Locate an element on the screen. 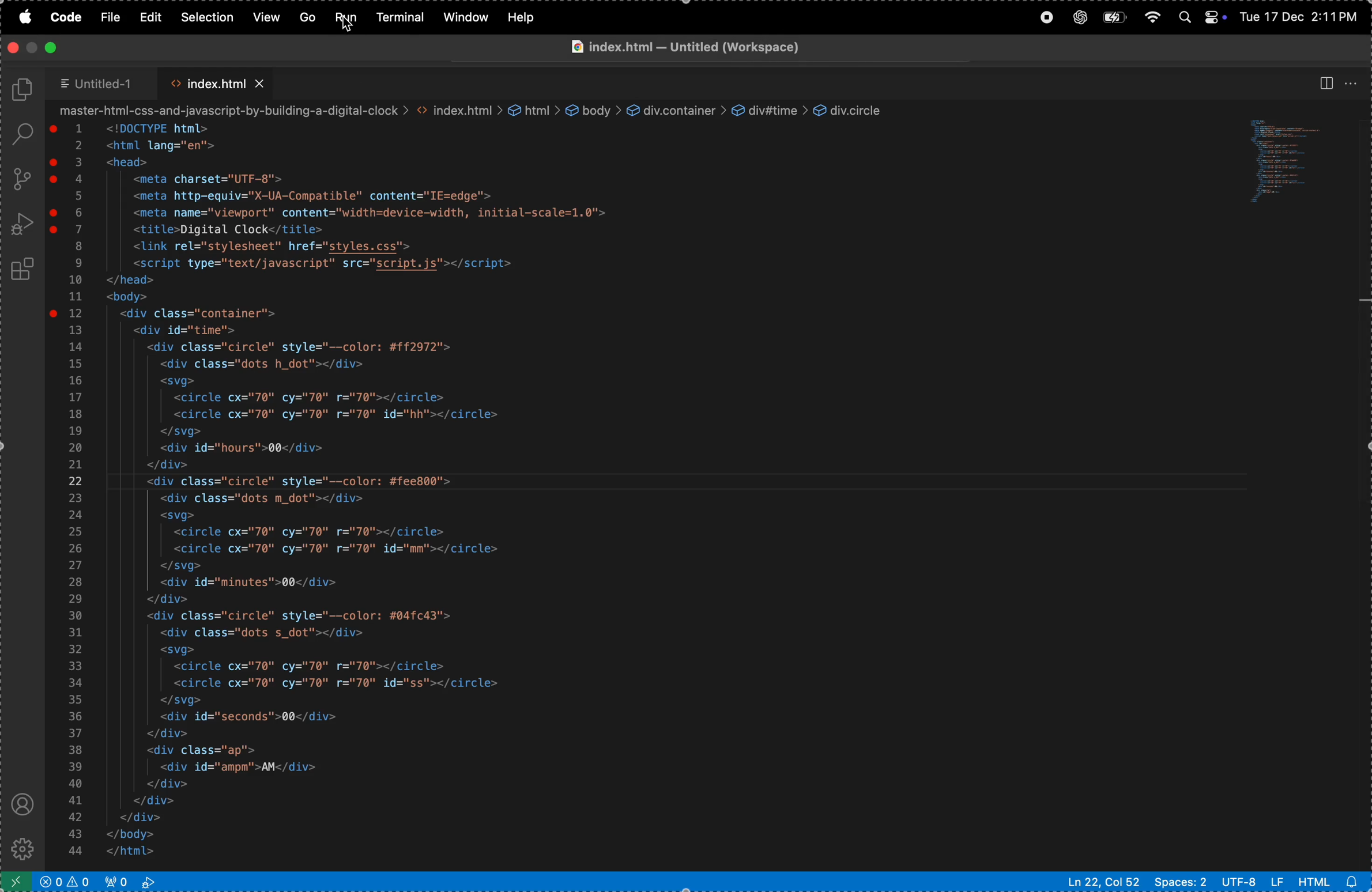 The image size is (1372, 892). file is located at coordinates (112, 18).